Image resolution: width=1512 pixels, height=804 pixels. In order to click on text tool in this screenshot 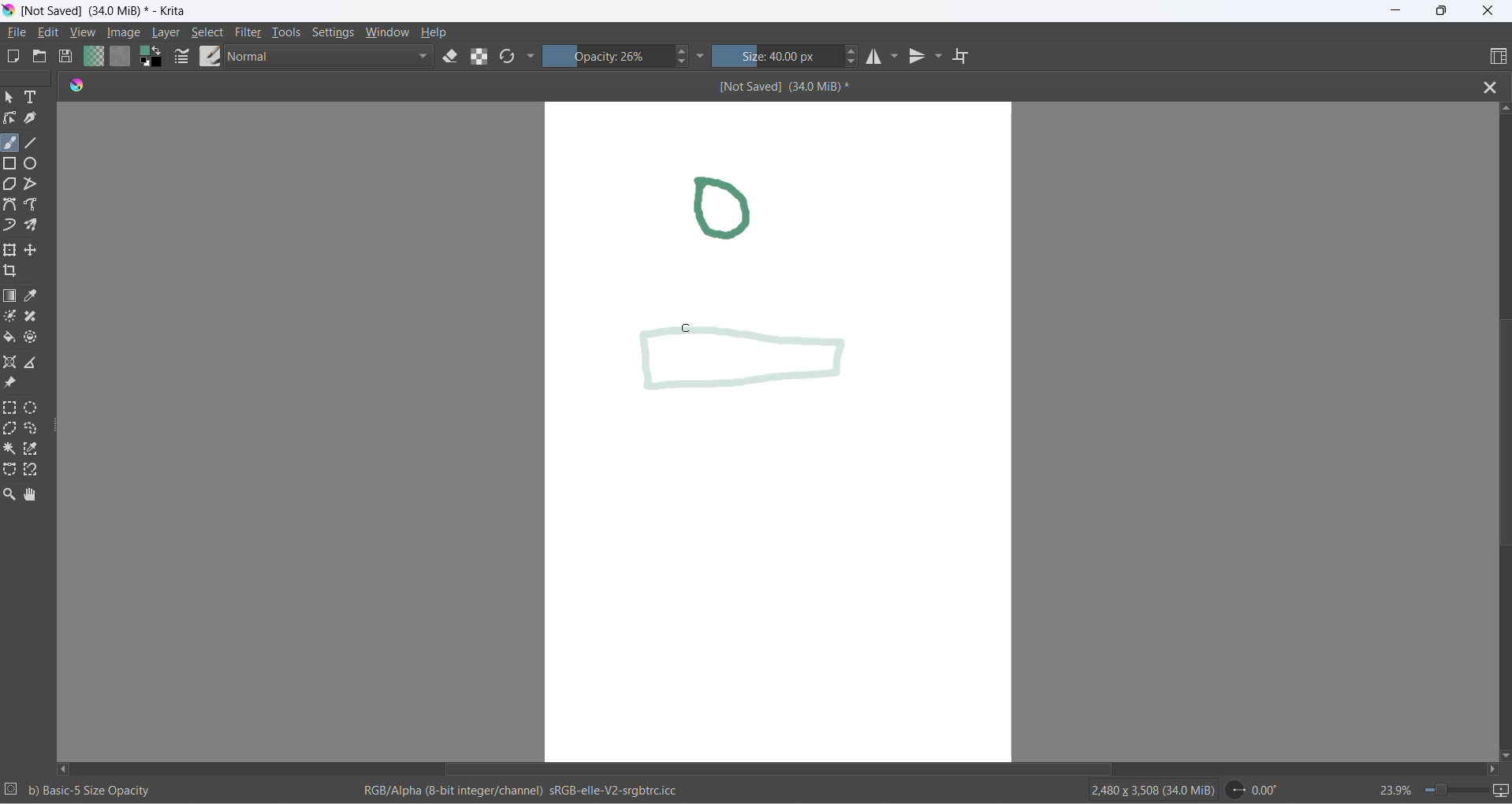, I will do `click(39, 101)`.